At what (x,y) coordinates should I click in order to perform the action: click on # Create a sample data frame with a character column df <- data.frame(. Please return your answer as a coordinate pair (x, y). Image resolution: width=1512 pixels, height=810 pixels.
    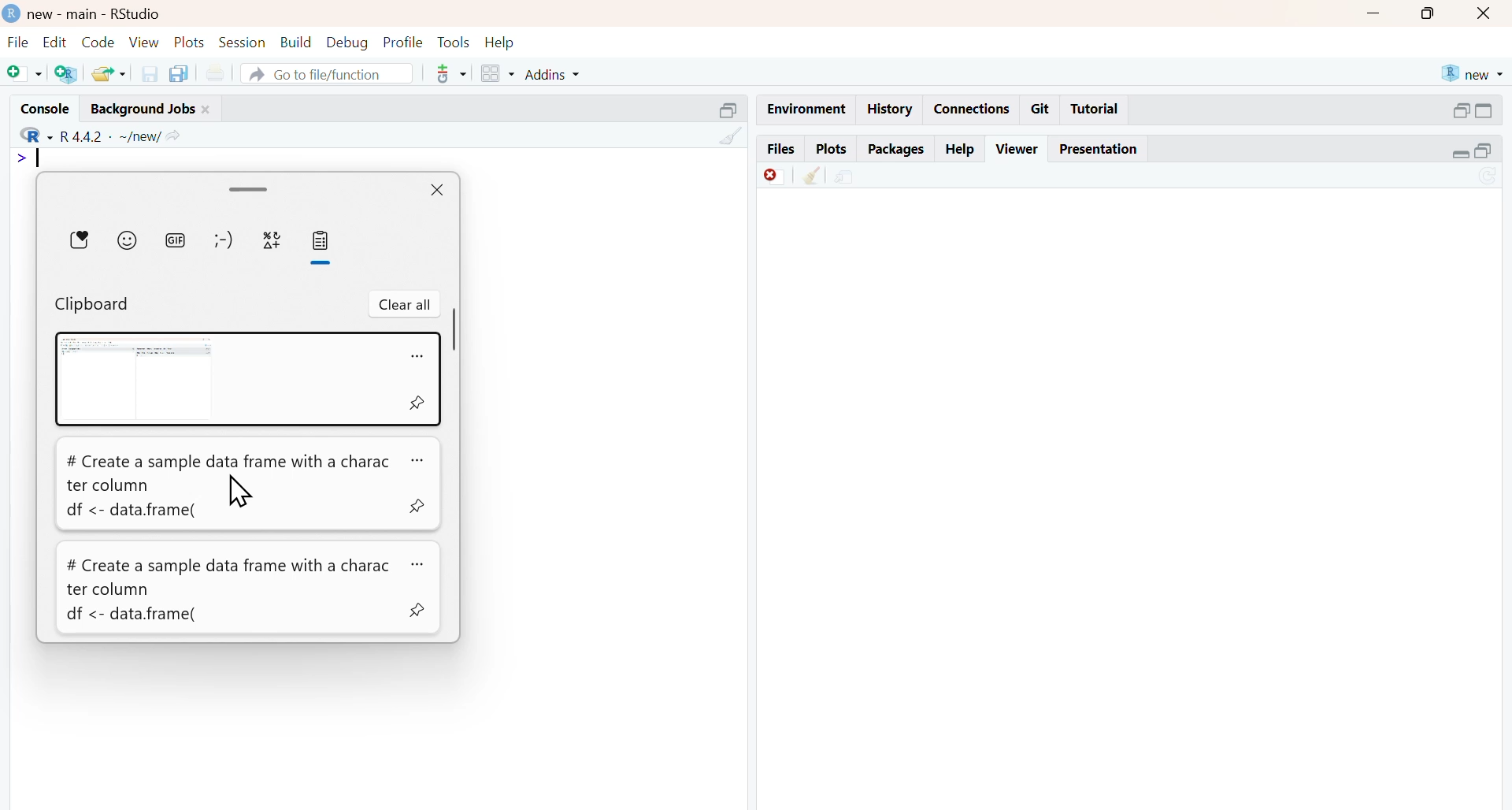
    Looking at the image, I should click on (230, 489).